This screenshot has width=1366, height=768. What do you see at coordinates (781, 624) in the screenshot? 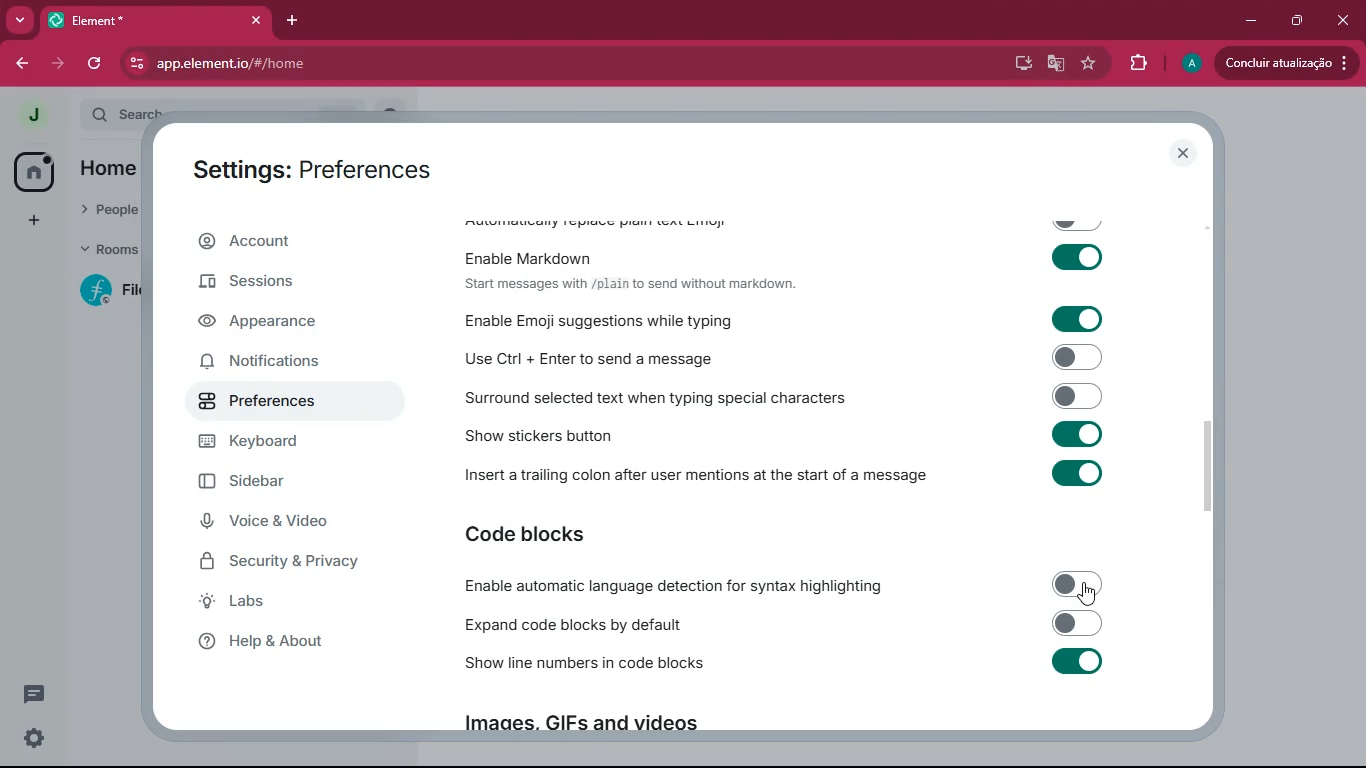
I see `Expand code blocks by default` at bounding box center [781, 624].